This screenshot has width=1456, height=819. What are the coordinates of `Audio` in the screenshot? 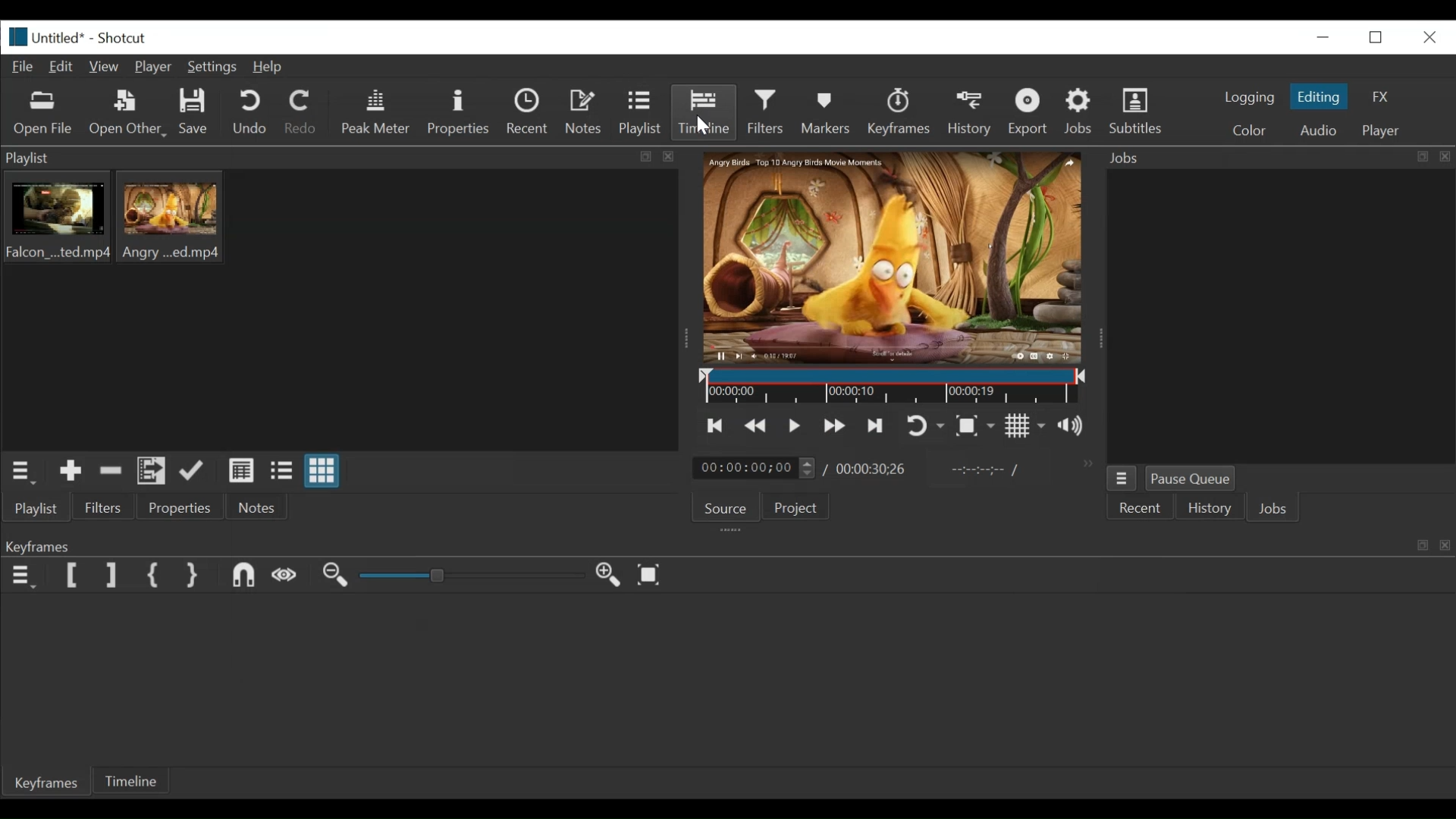 It's located at (1317, 130).